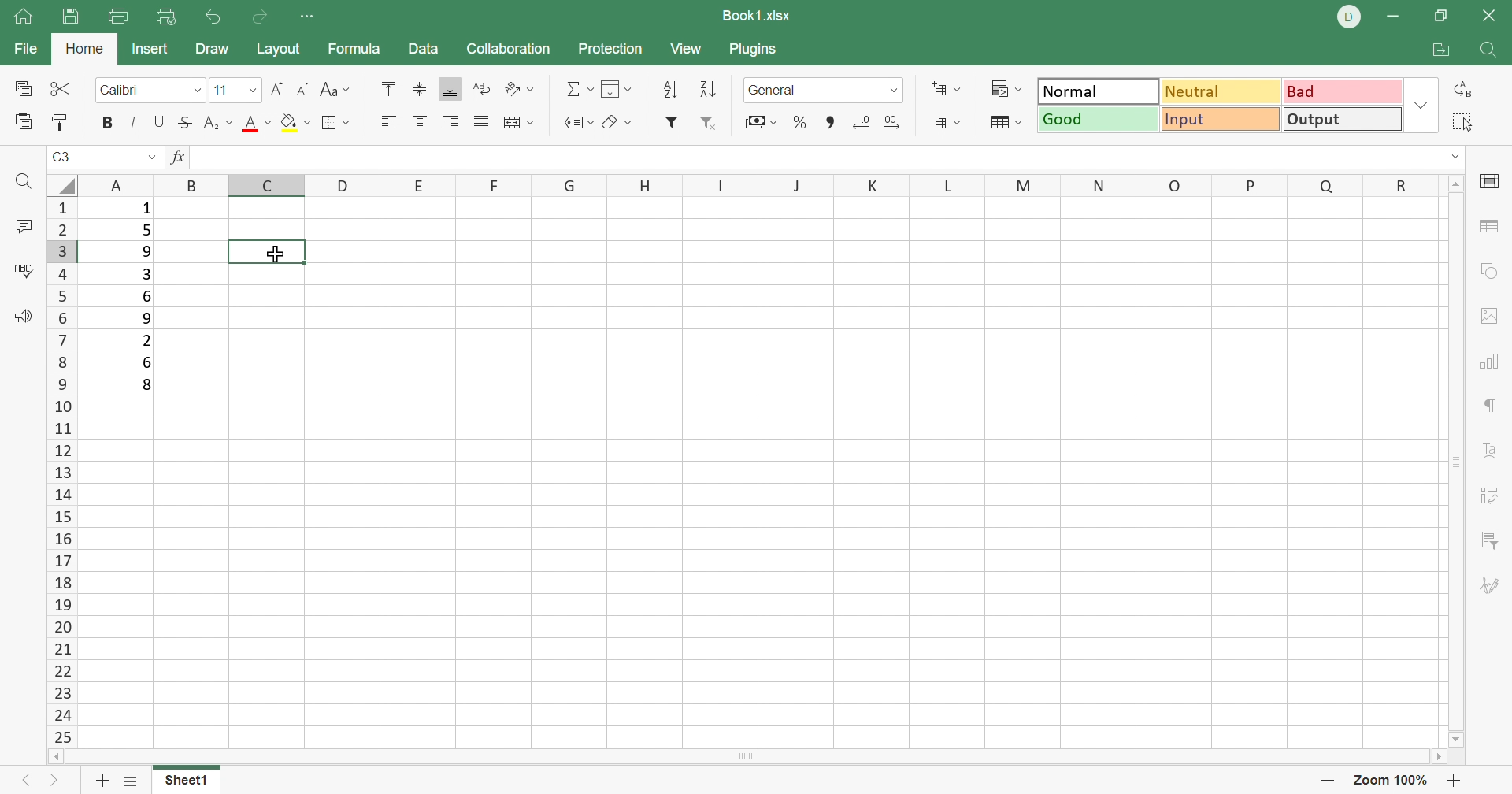 This screenshot has height=794, width=1512. Describe the element at coordinates (757, 13) in the screenshot. I see `Book1.xlsx` at that location.